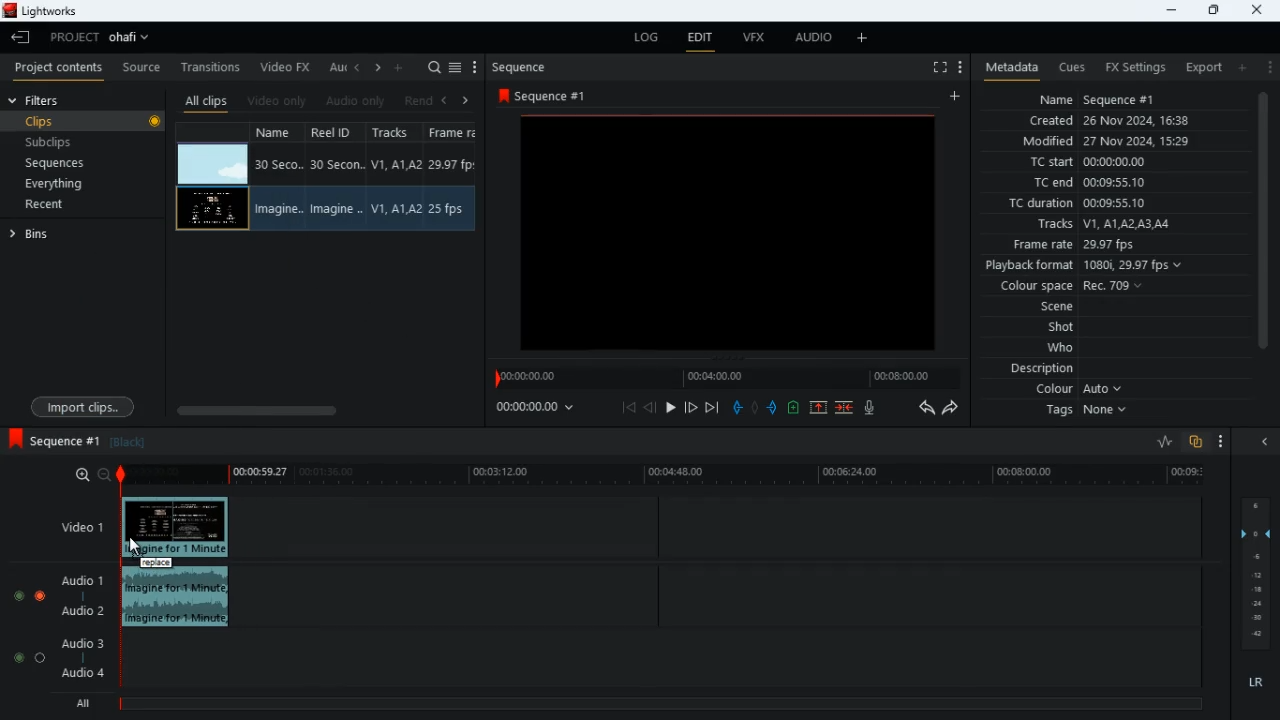 This screenshot has width=1280, height=720. Describe the element at coordinates (135, 546) in the screenshot. I see `Mouse Cursor` at that location.